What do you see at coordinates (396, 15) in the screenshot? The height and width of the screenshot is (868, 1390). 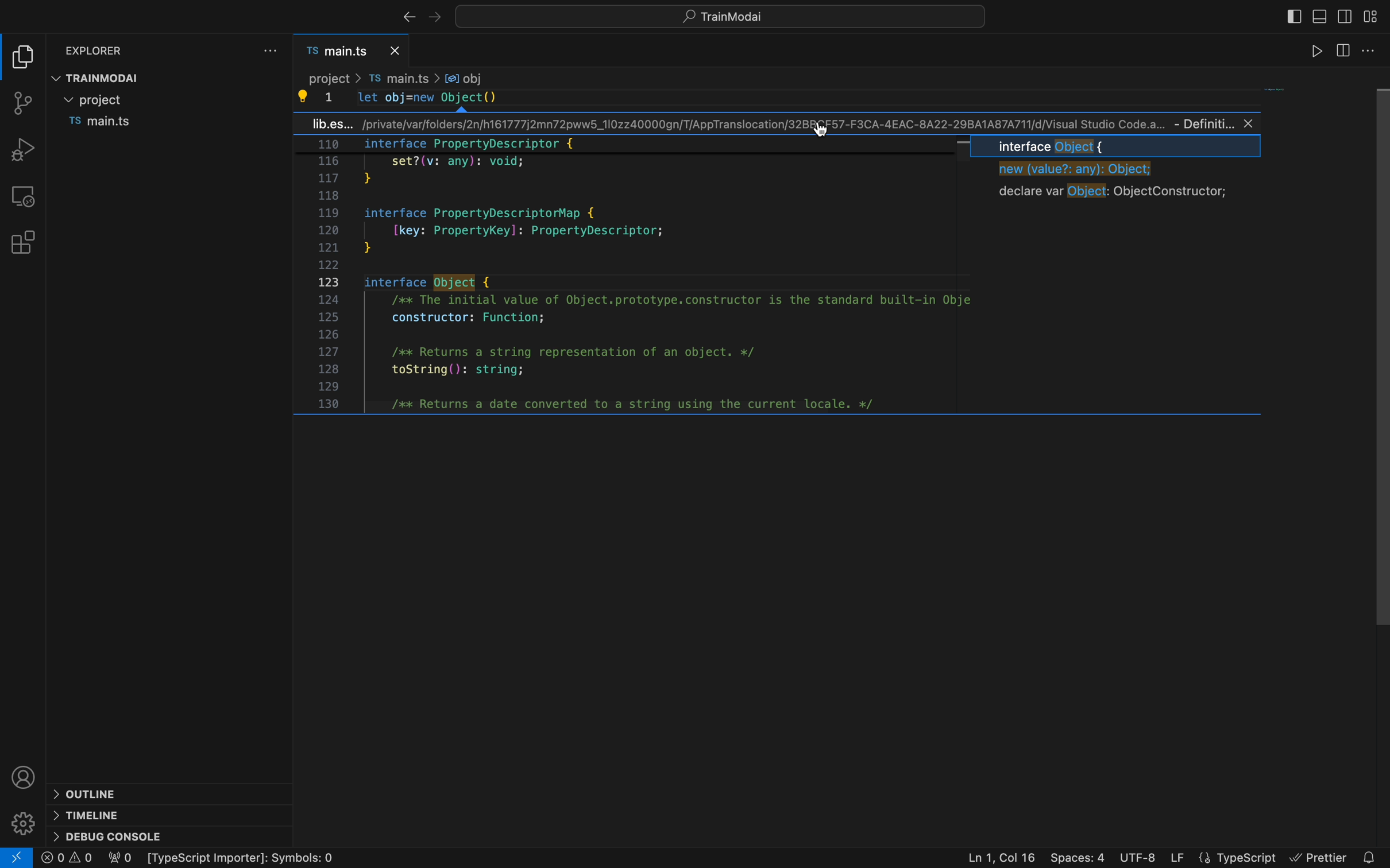 I see `right arrow` at bounding box center [396, 15].